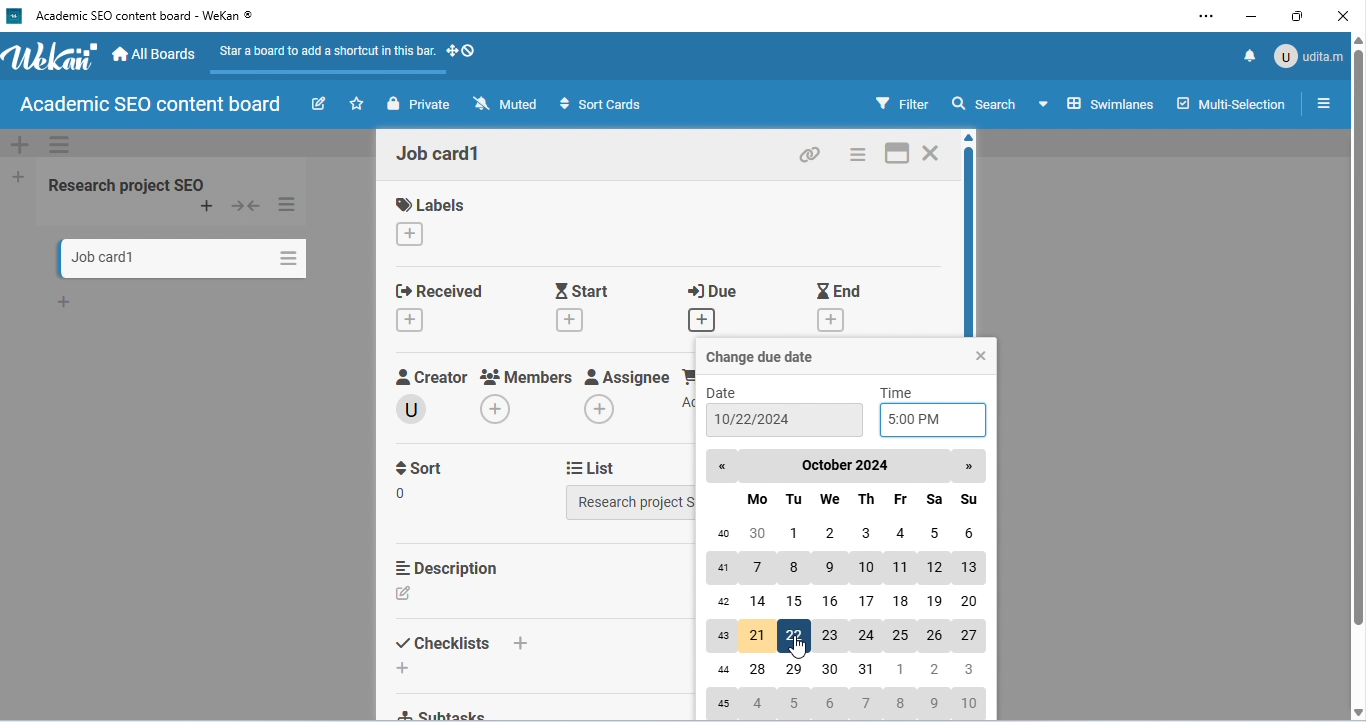 Image resolution: width=1366 pixels, height=722 pixels. Describe the element at coordinates (359, 104) in the screenshot. I see `star a board` at that location.